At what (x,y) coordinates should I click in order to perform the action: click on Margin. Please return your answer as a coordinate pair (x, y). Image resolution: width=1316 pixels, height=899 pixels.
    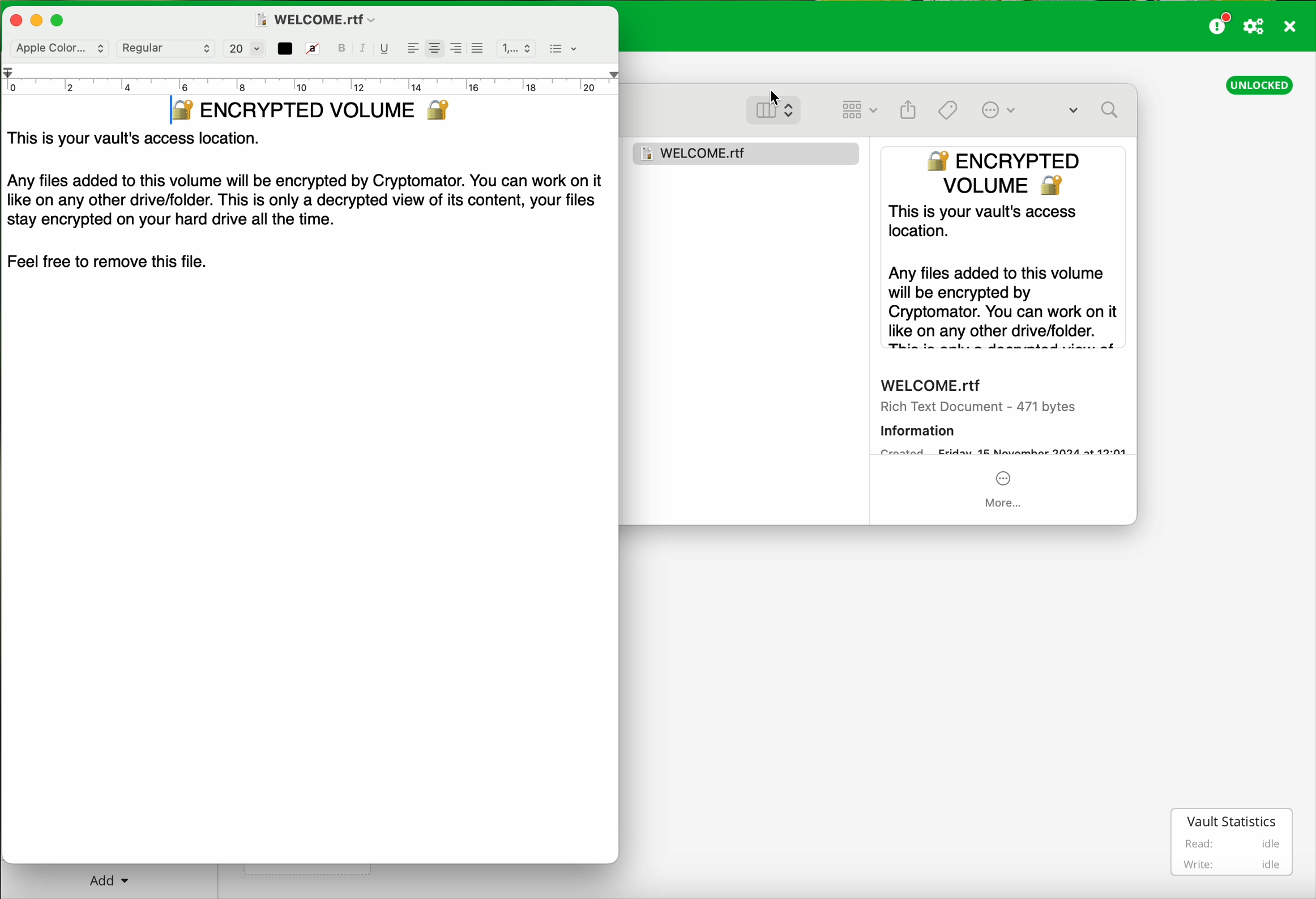
    Looking at the image, I should click on (310, 78).